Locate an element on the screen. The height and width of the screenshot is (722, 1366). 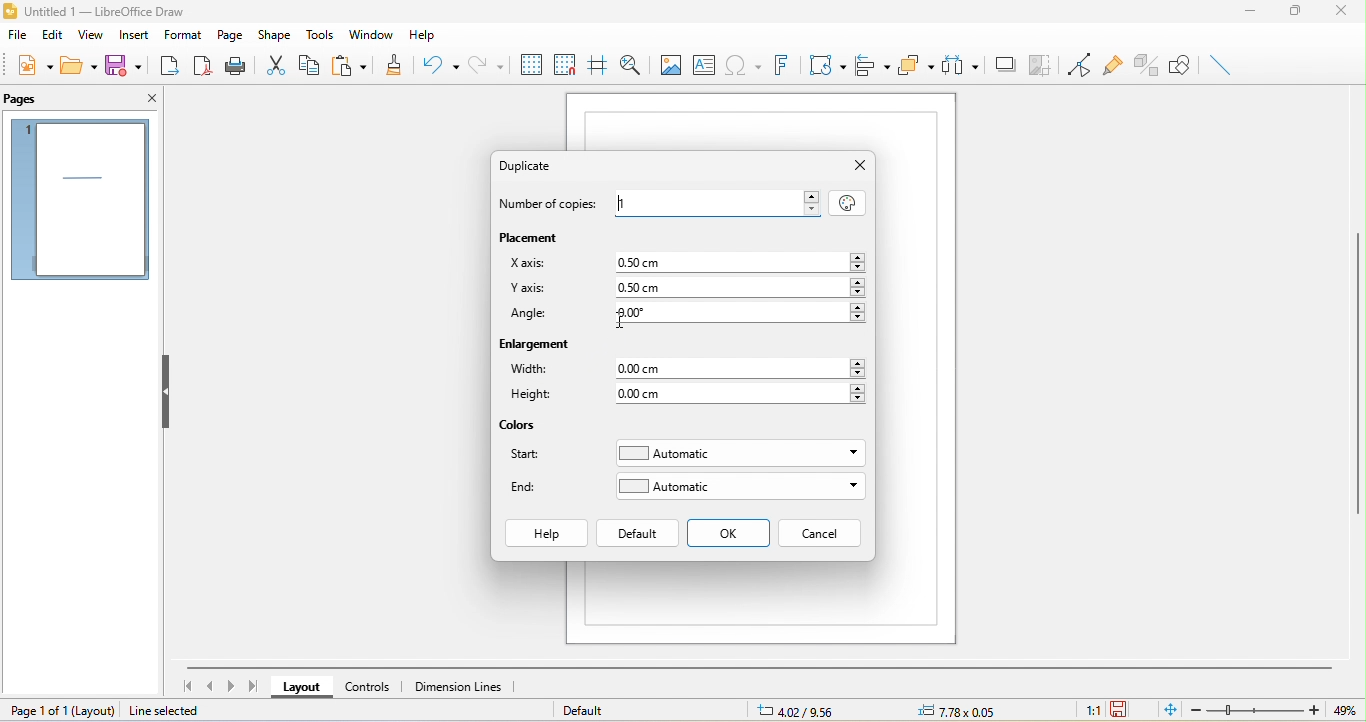
special character is located at coordinates (742, 64).